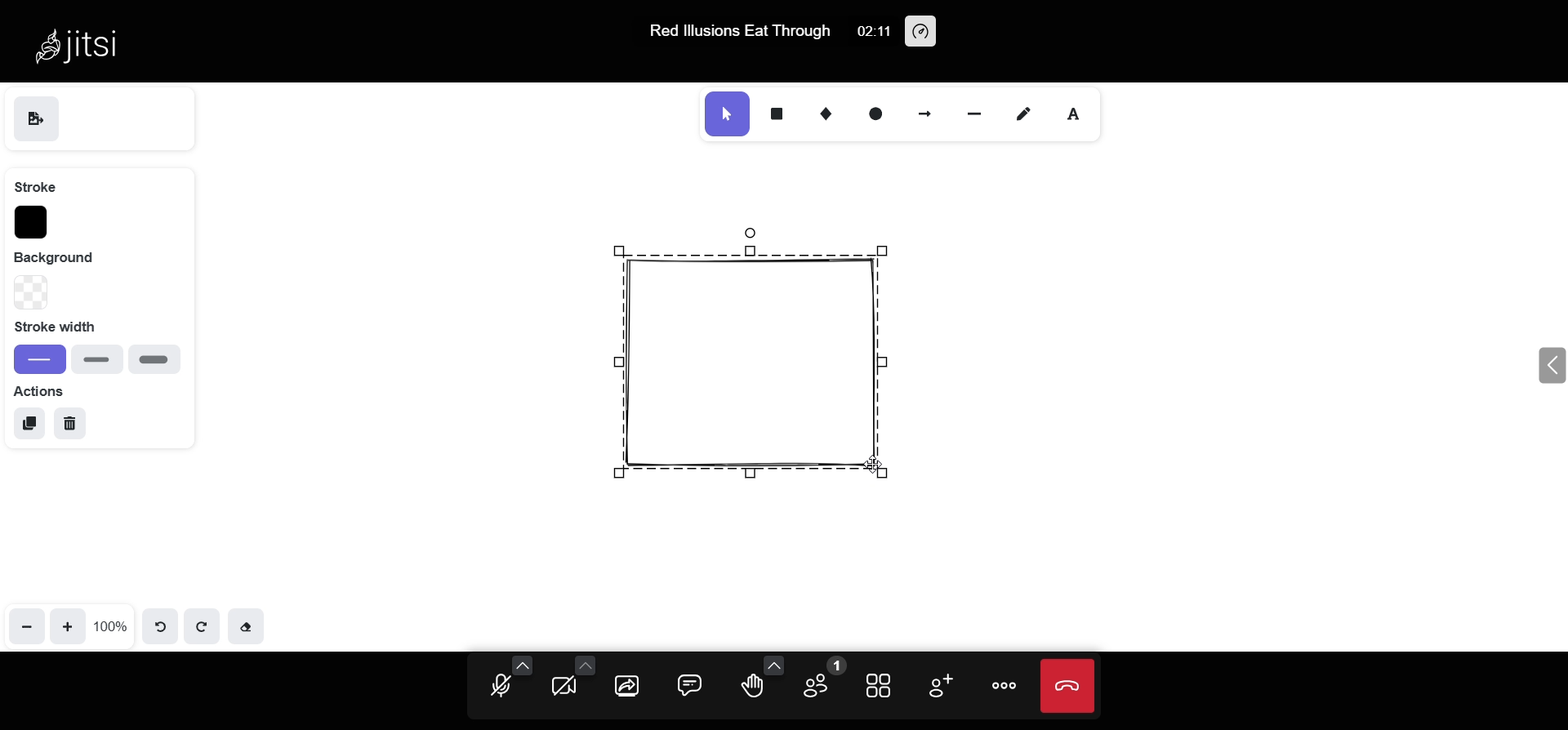  Describe the element at coordinates (112, 624) in the screenshot. I see `100%` at that location.